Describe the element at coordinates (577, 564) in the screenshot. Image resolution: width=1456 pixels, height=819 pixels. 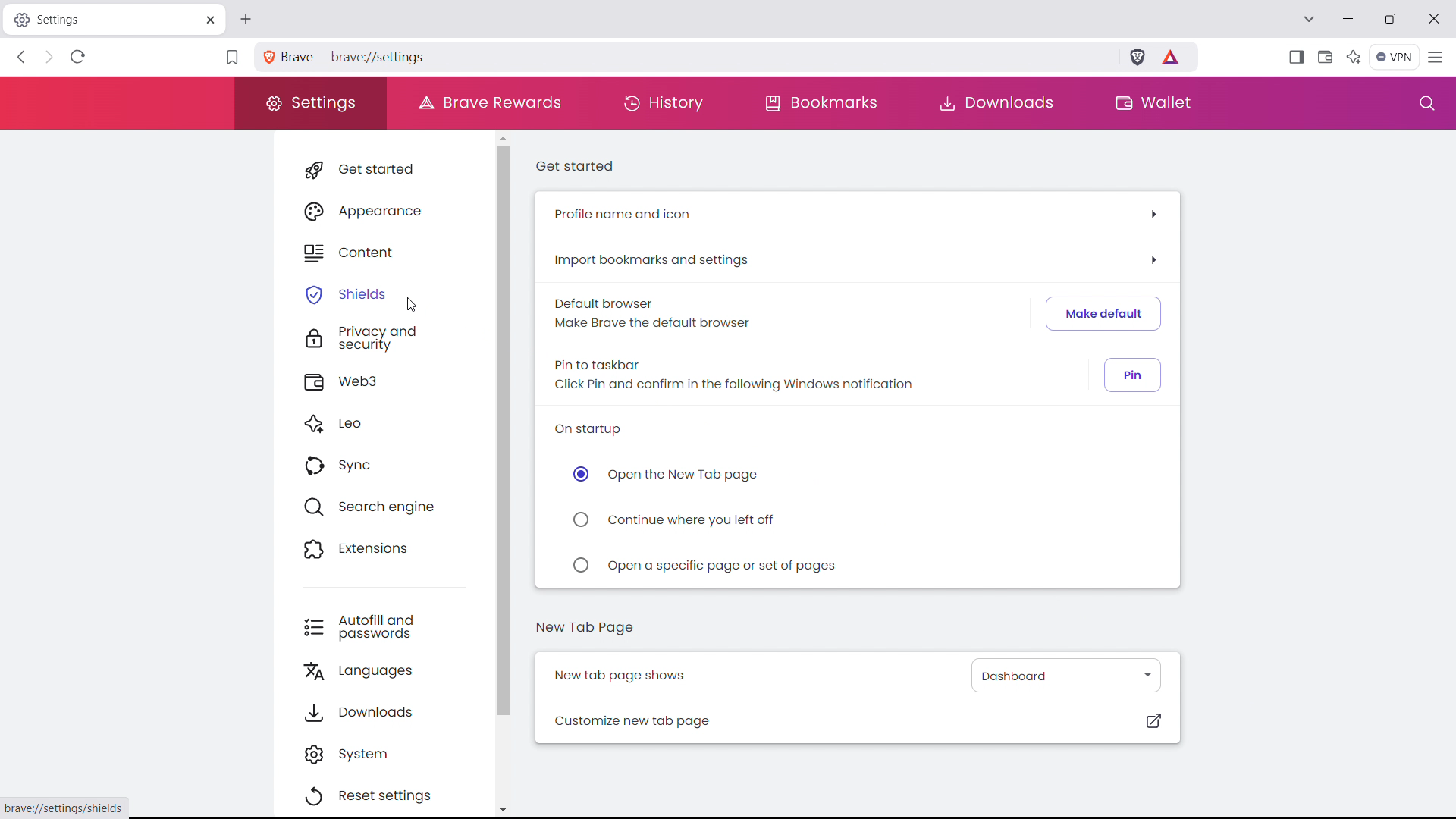
I see `Radio Button` at that location.